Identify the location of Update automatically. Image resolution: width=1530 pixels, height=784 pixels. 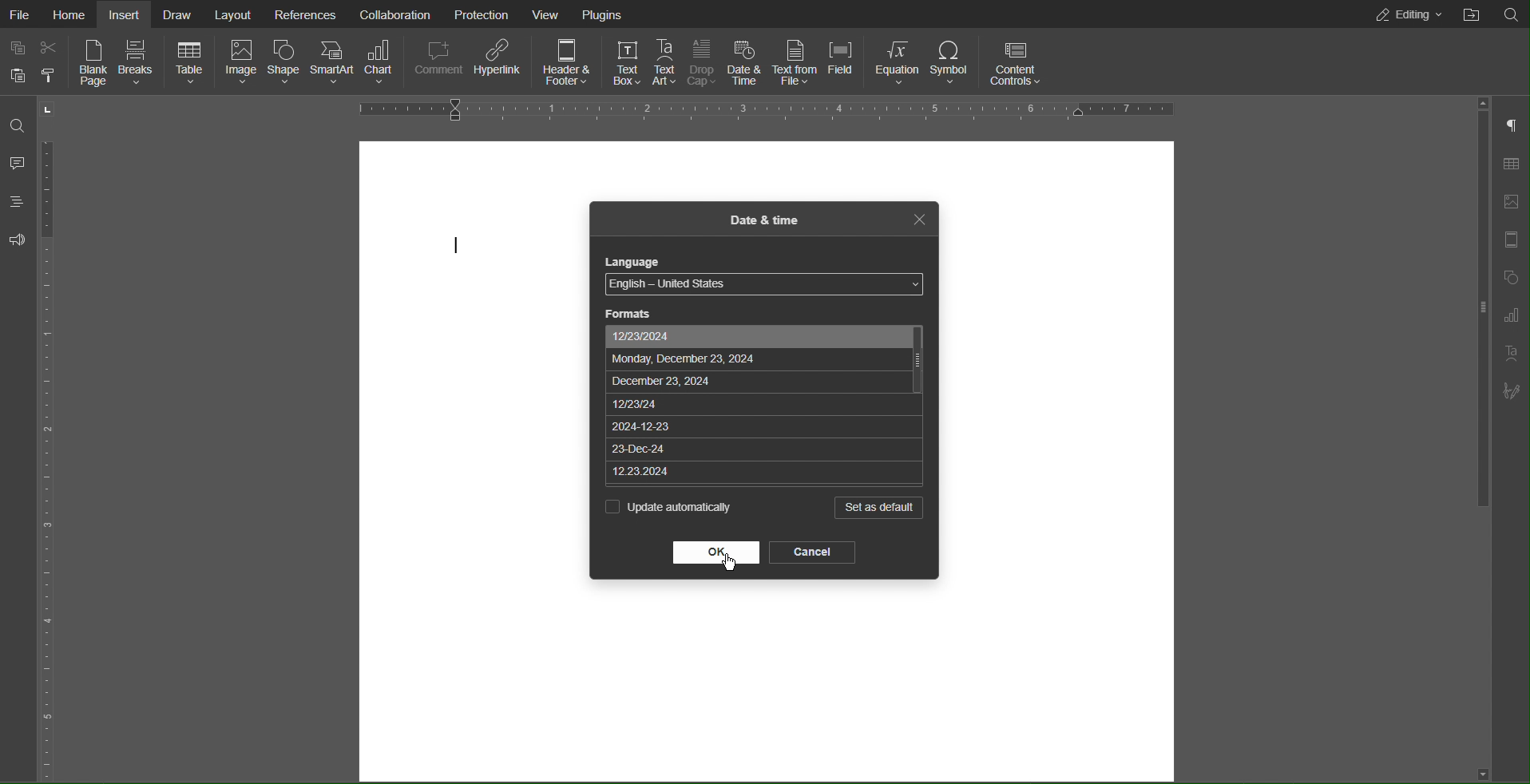
(670, 508).